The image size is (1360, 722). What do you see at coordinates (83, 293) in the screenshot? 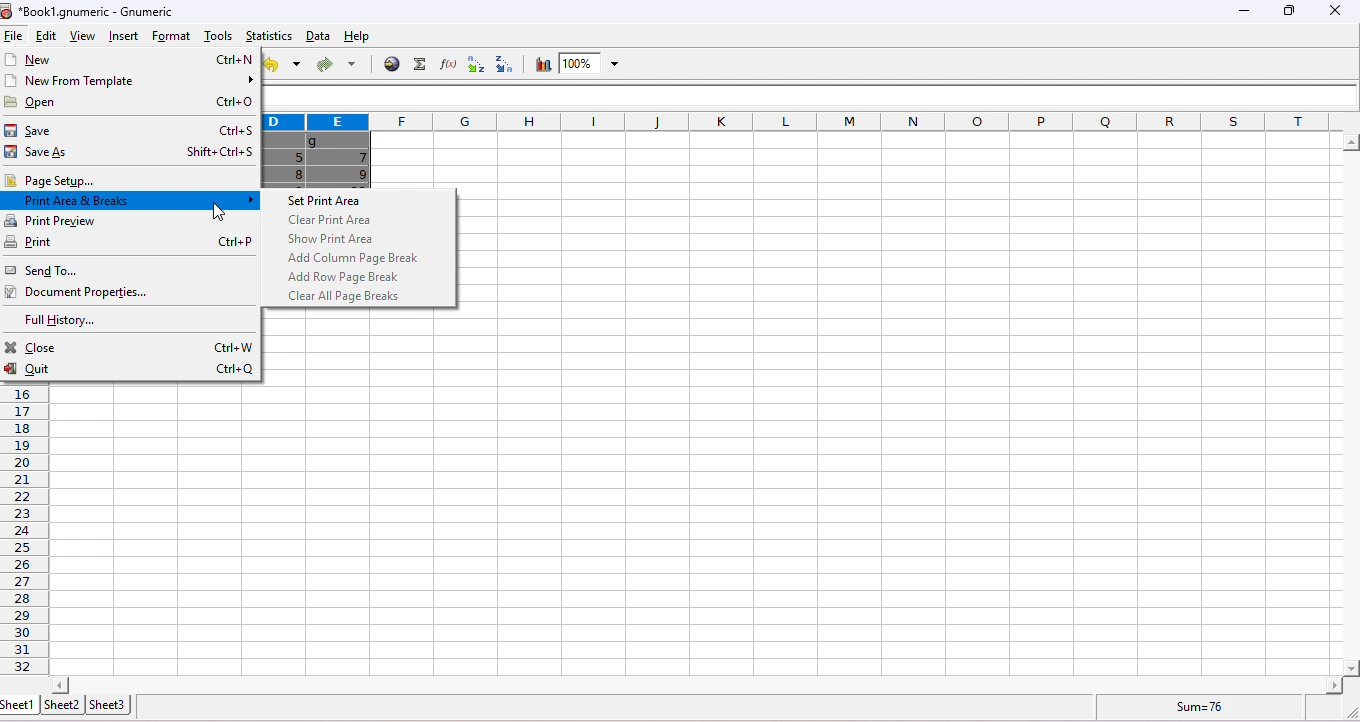
I see `document properties` at bounding box center [83, 293].